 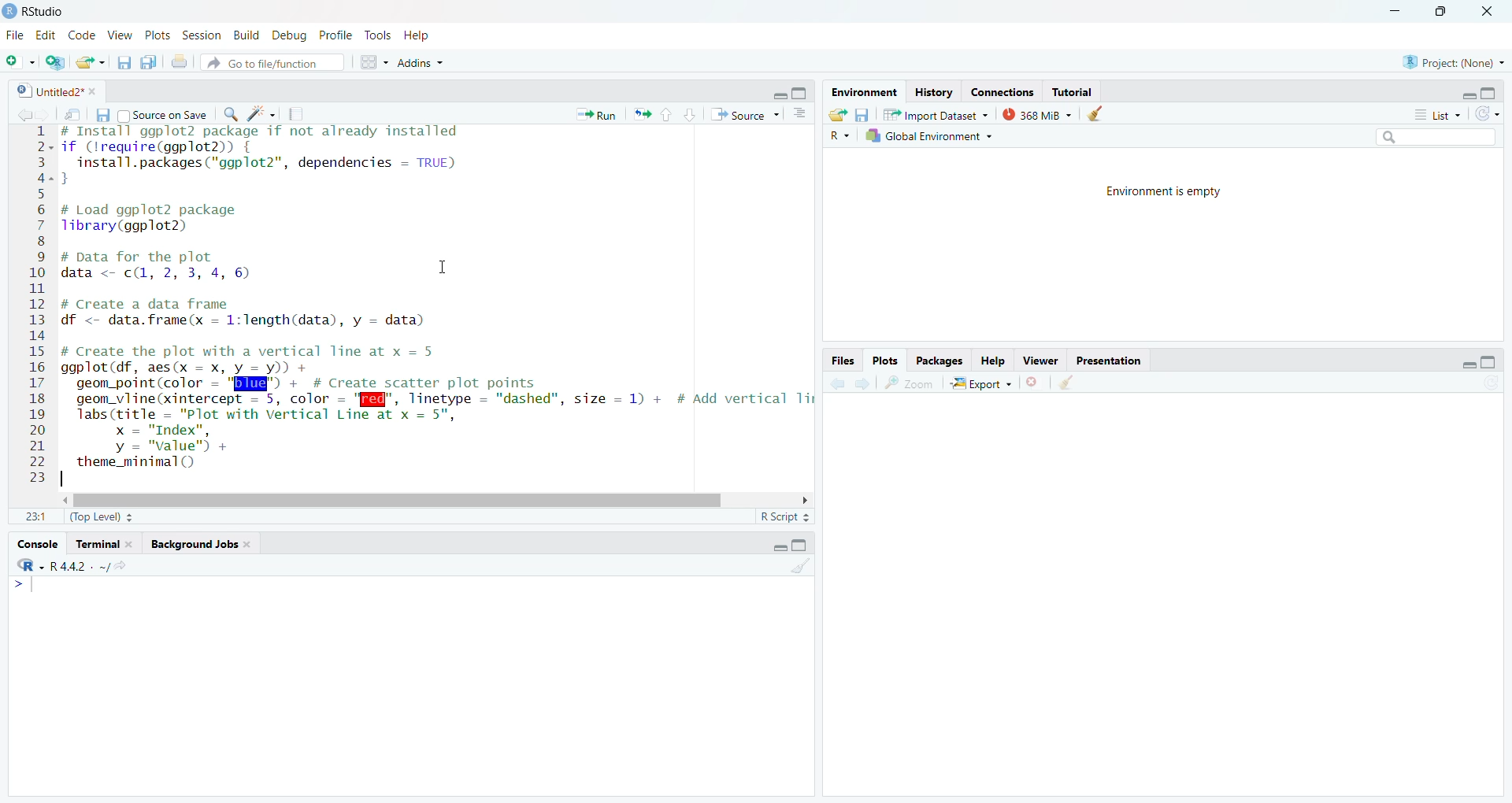 I want to click on Packages, so click(x=932, y=359).